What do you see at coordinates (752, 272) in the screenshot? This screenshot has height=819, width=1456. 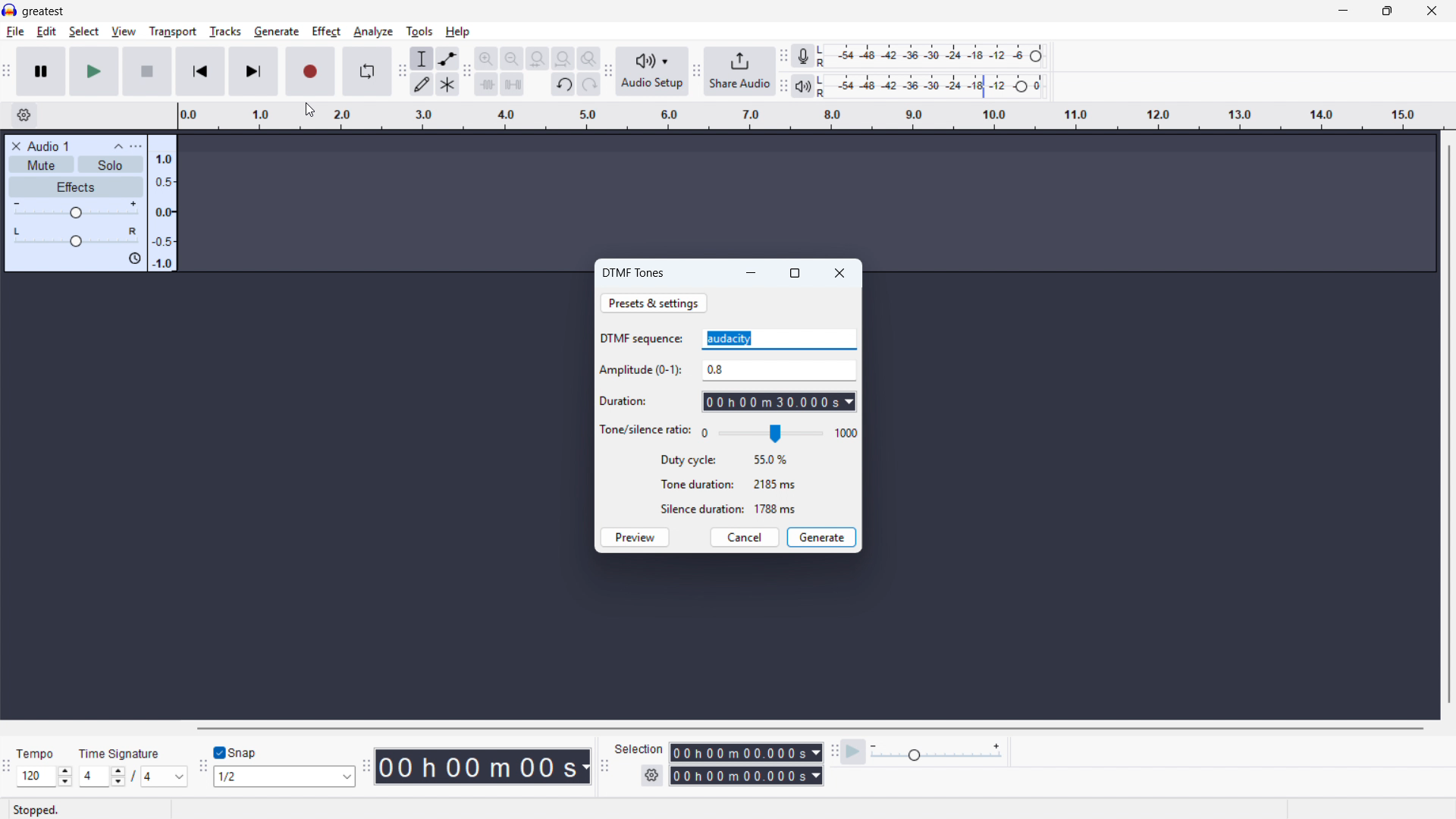 I see `minimise ` at bounding box center [752, 272].